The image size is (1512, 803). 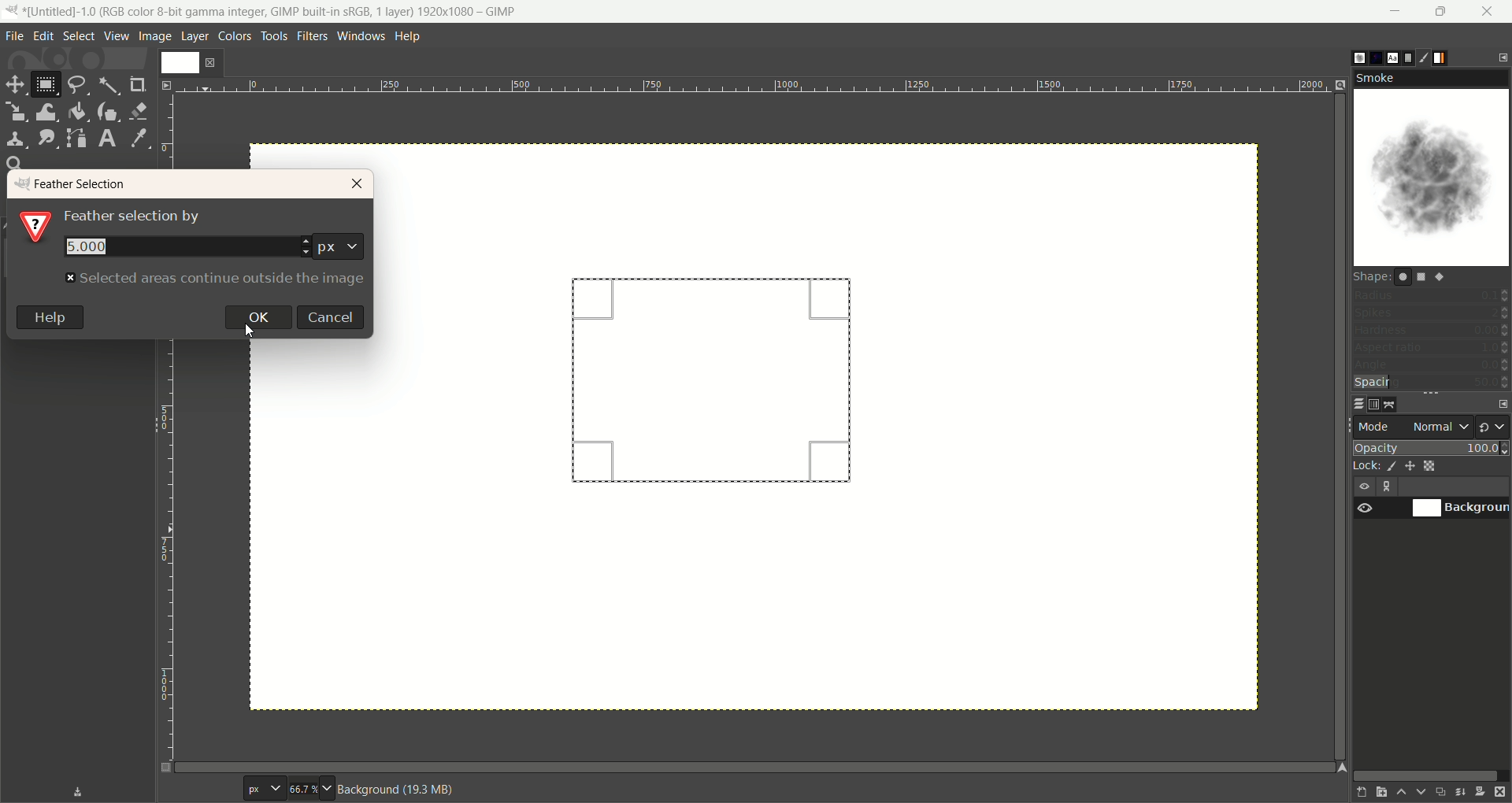 What do you see at coordinates (81, 790) in the screenshot?
I see `save device status` at bounding box center [81, 790].